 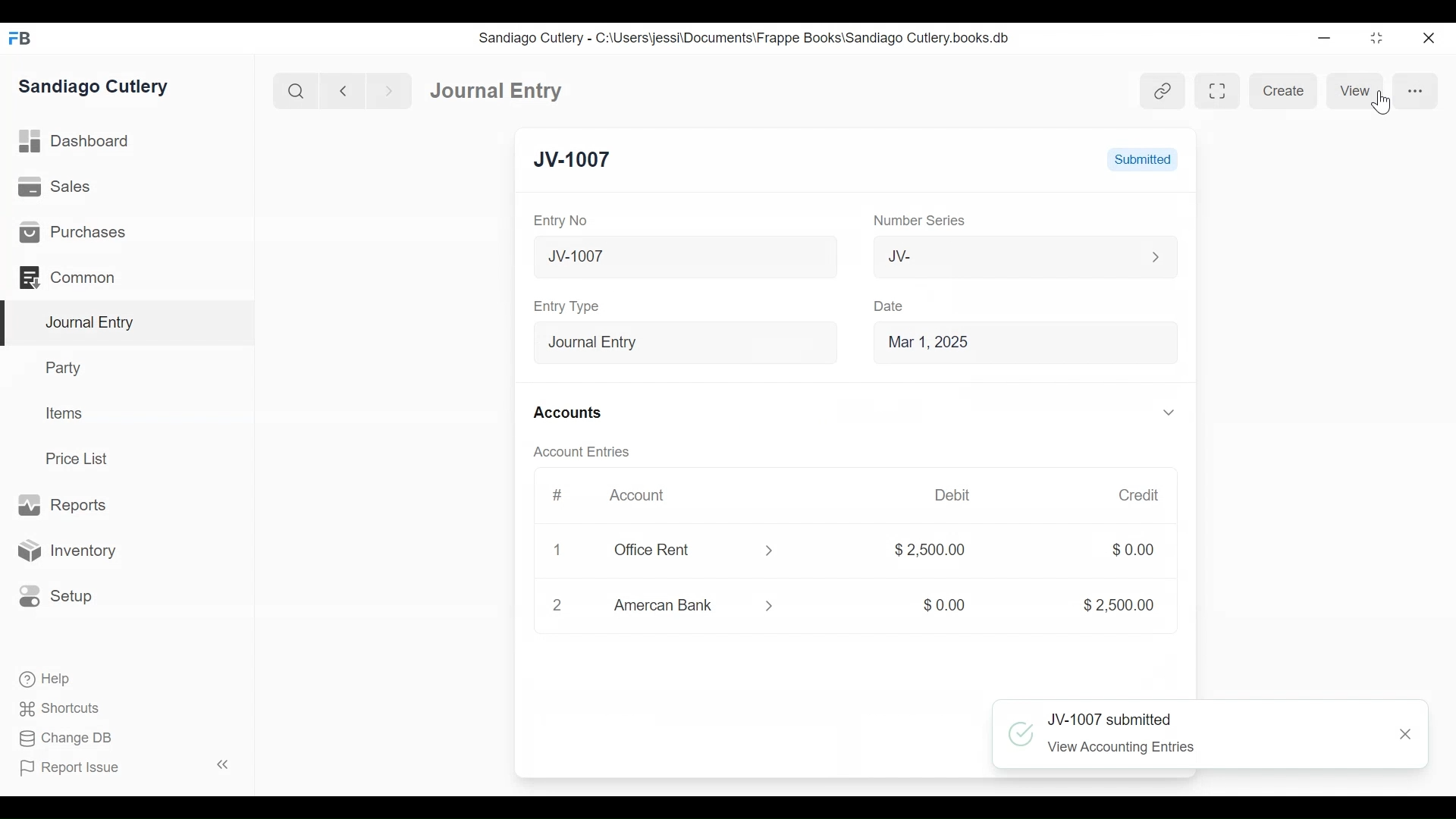 I want to click on JV-1007 submitted, so click(x=1112, y=718).